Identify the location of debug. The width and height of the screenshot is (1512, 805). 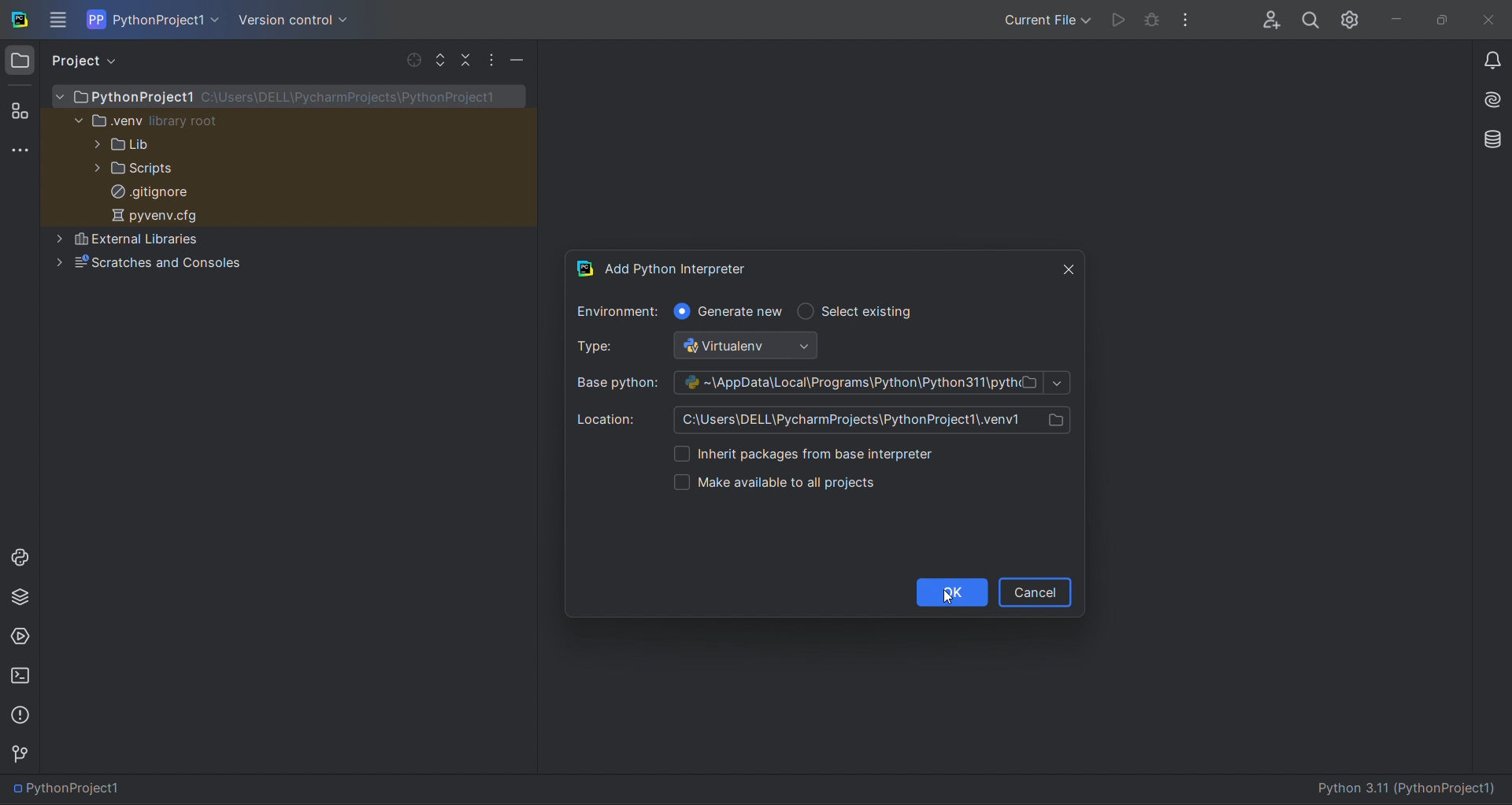
(1152, 22).